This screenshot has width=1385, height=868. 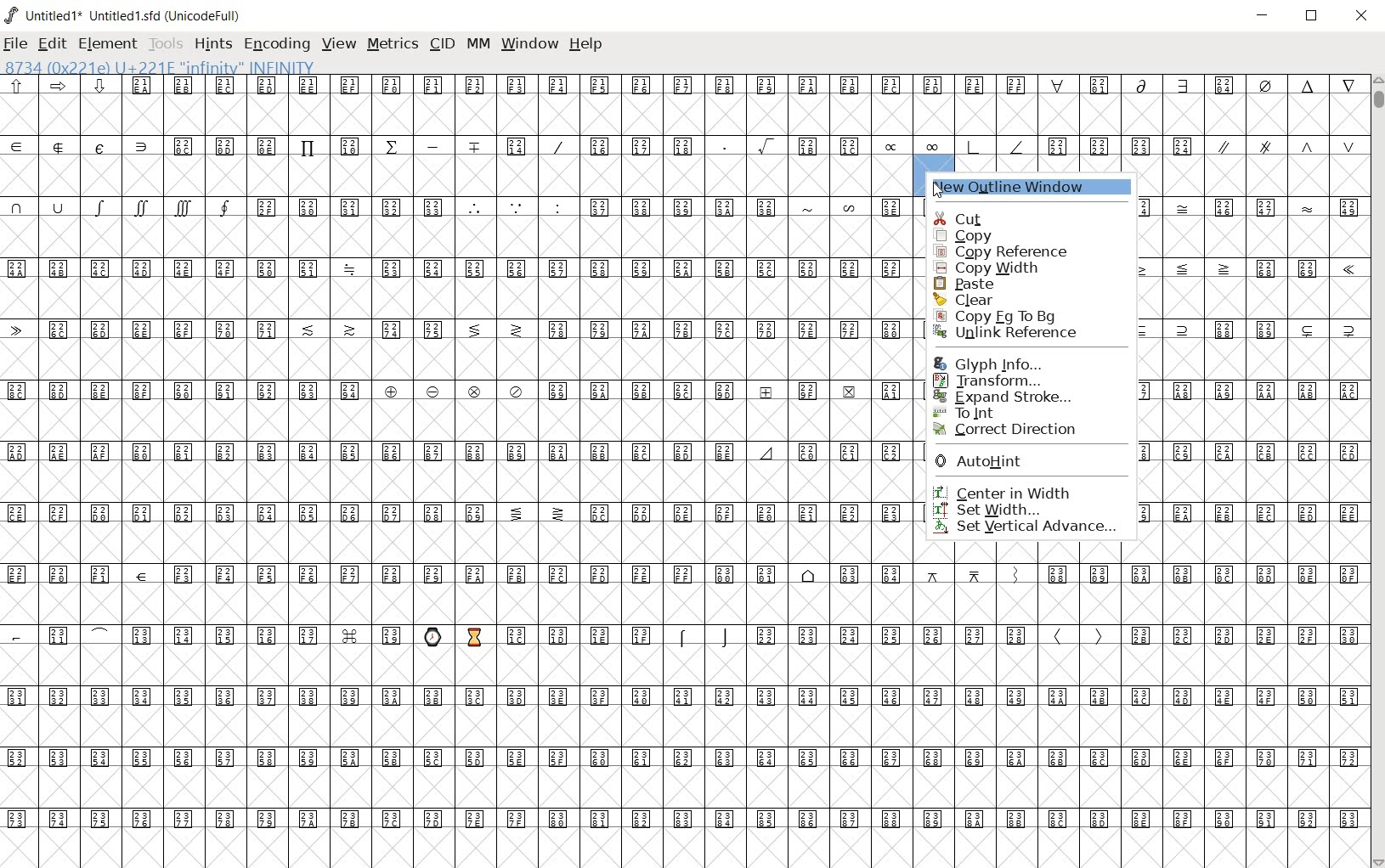 I want to click on empty glyph slots, so click(x=461, y=544).